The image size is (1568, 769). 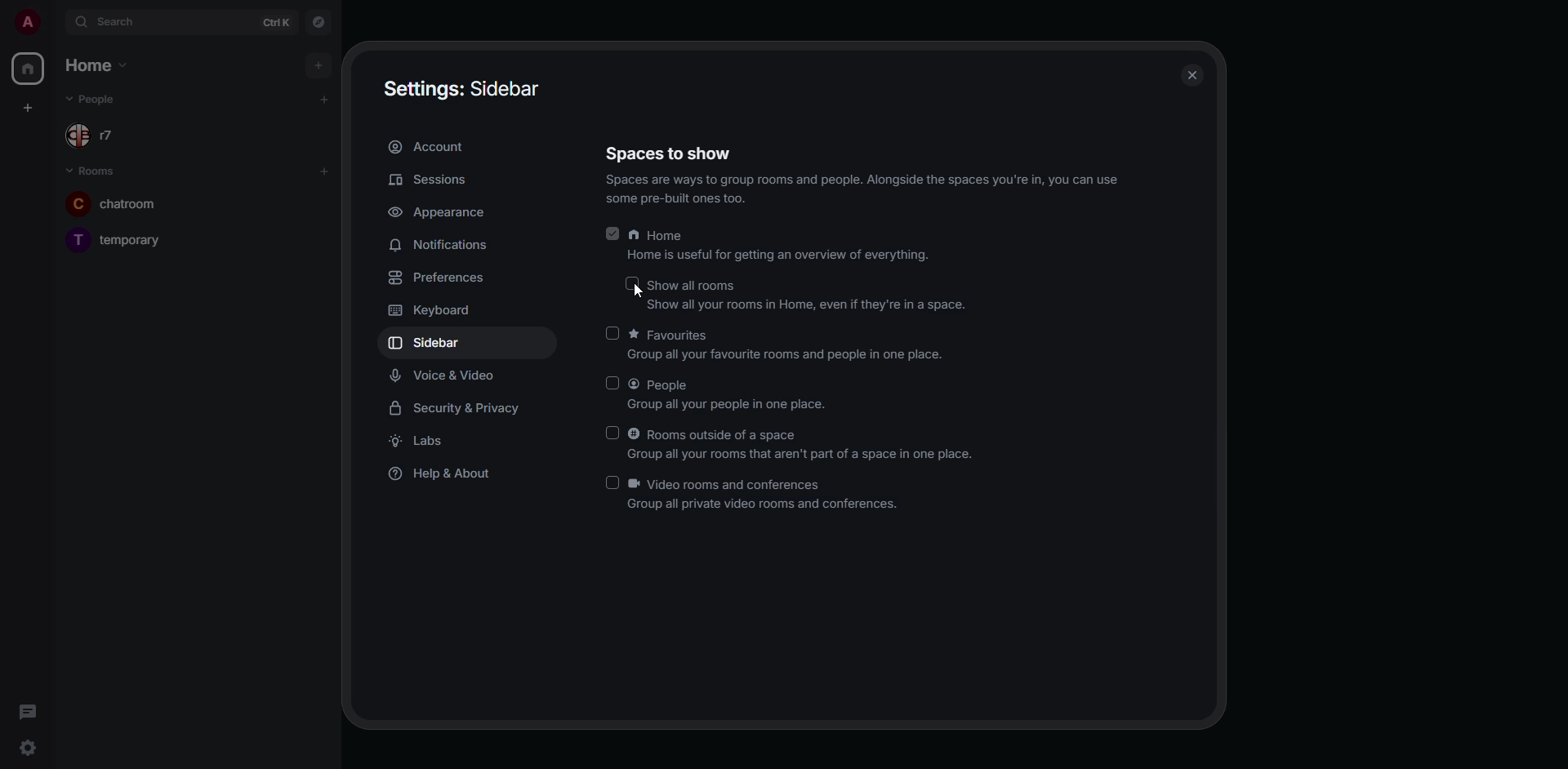 What do you see at coordinates (860, 174) in the screenshot?
I see `spaces to show` at bounding box center [860, 174].